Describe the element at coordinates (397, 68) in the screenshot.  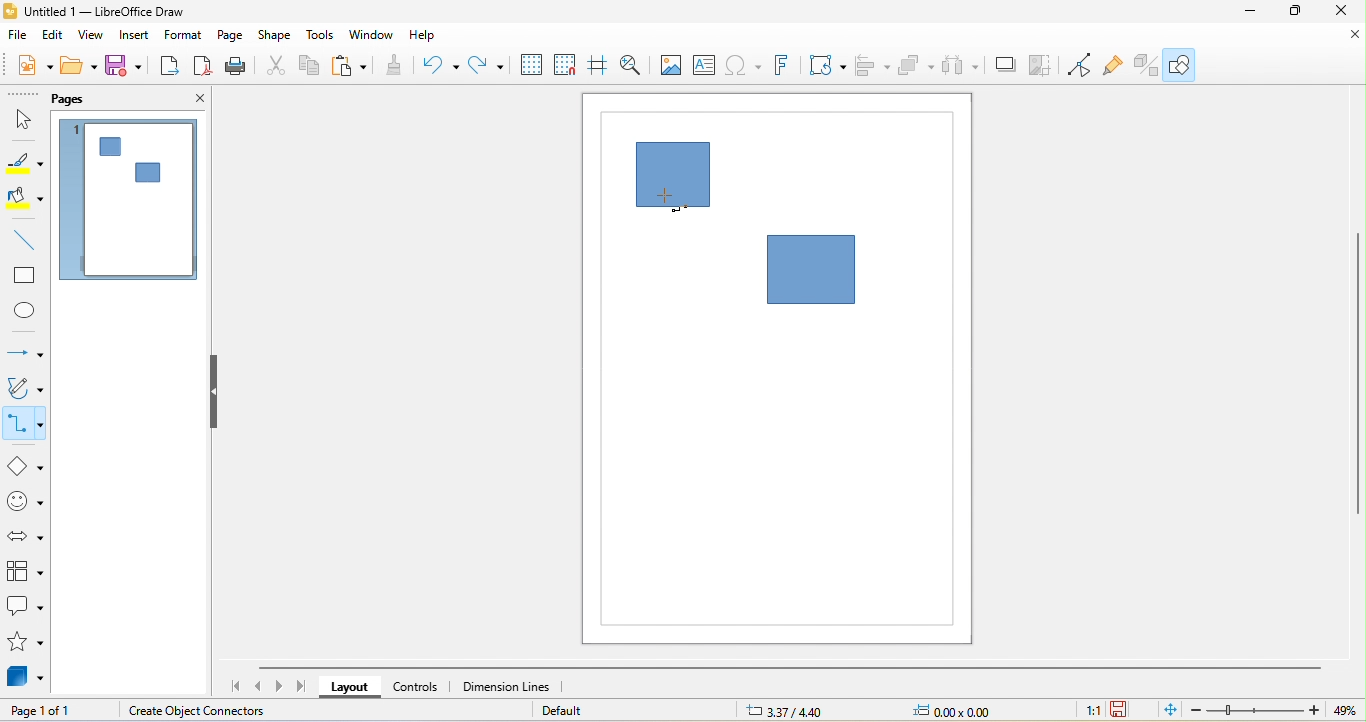
I see `clone formatting` at that location.